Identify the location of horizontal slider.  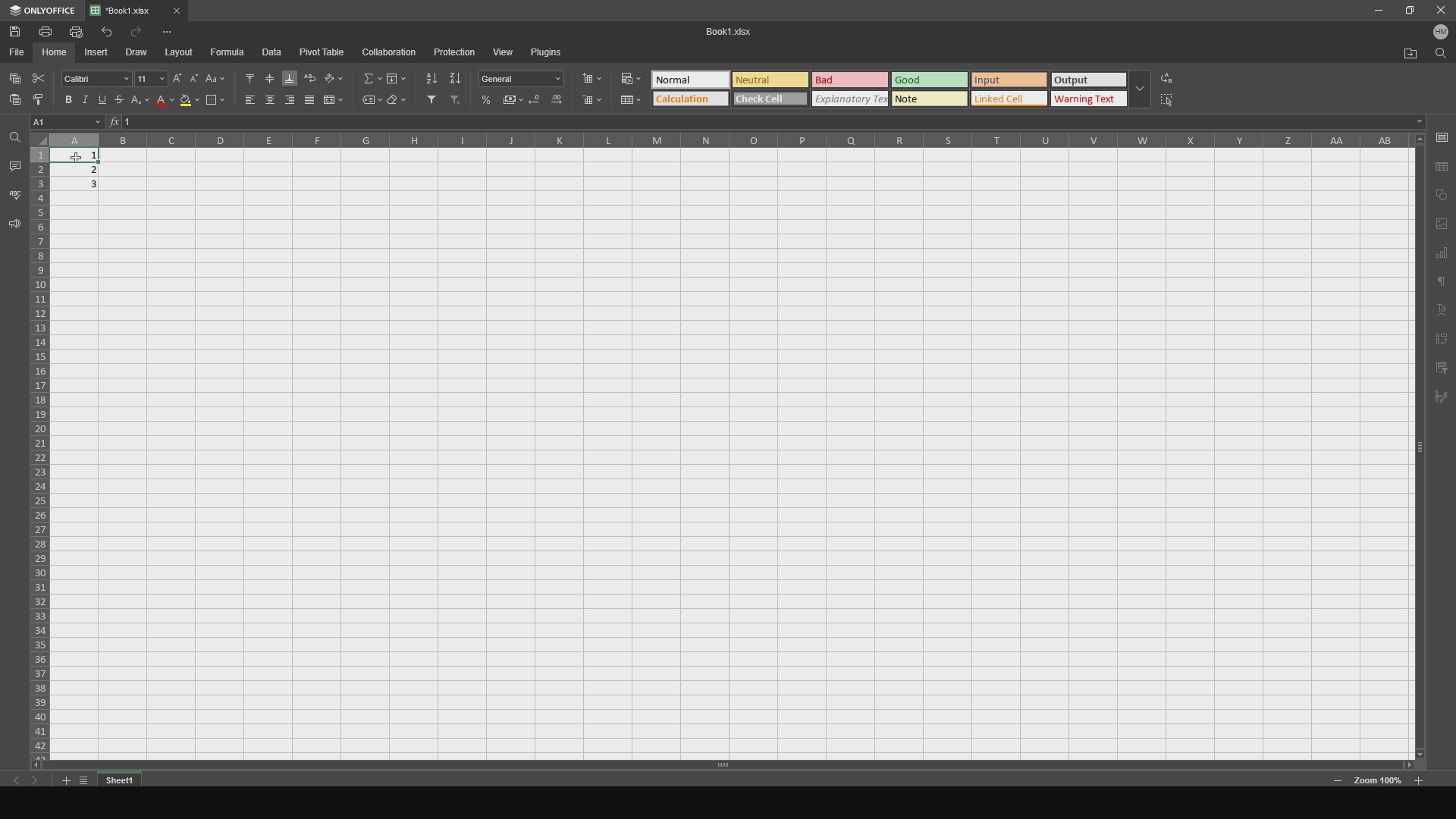
(718, 764).